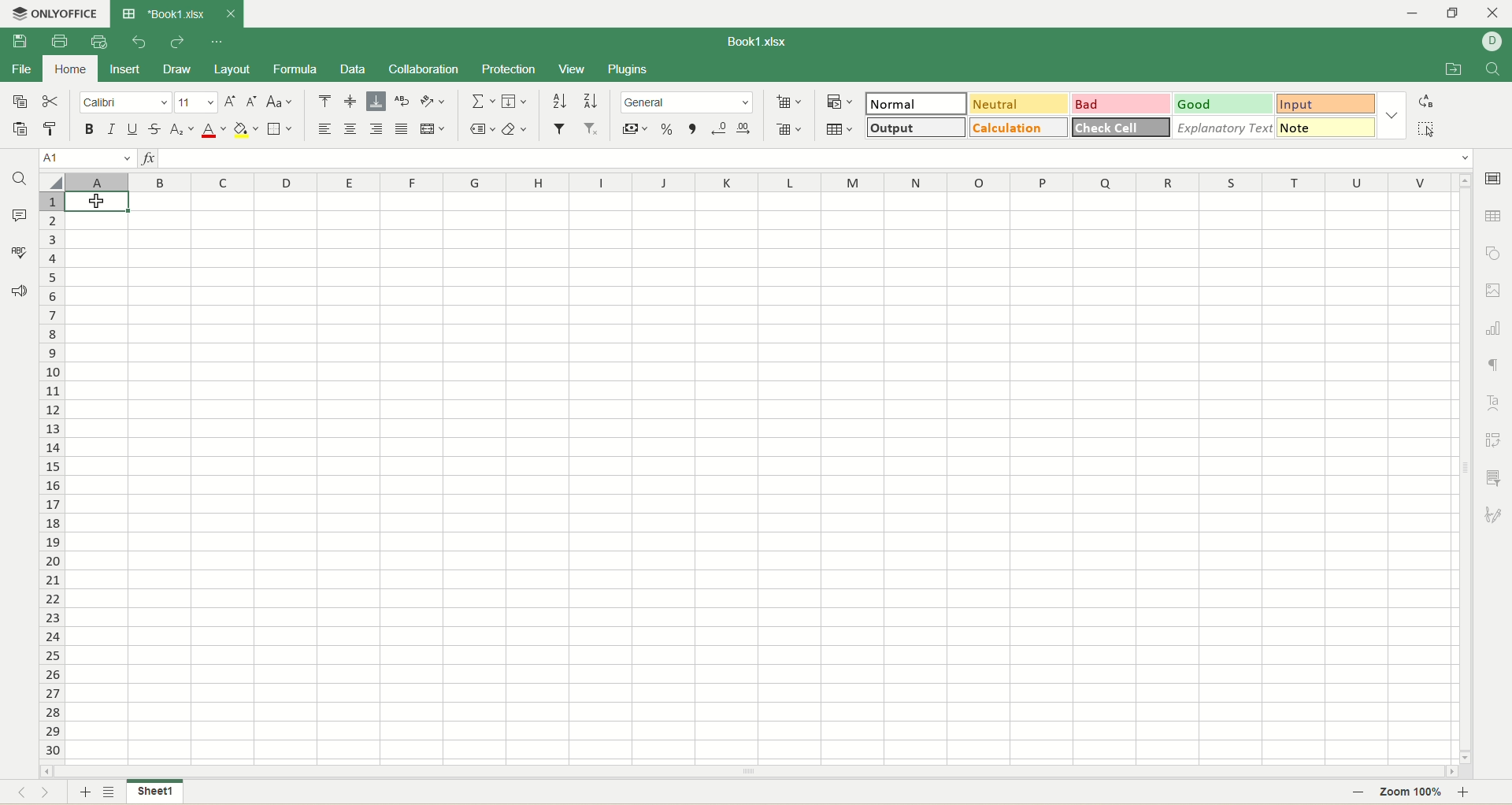  I want to click on signature settings, so click(1495, 514).